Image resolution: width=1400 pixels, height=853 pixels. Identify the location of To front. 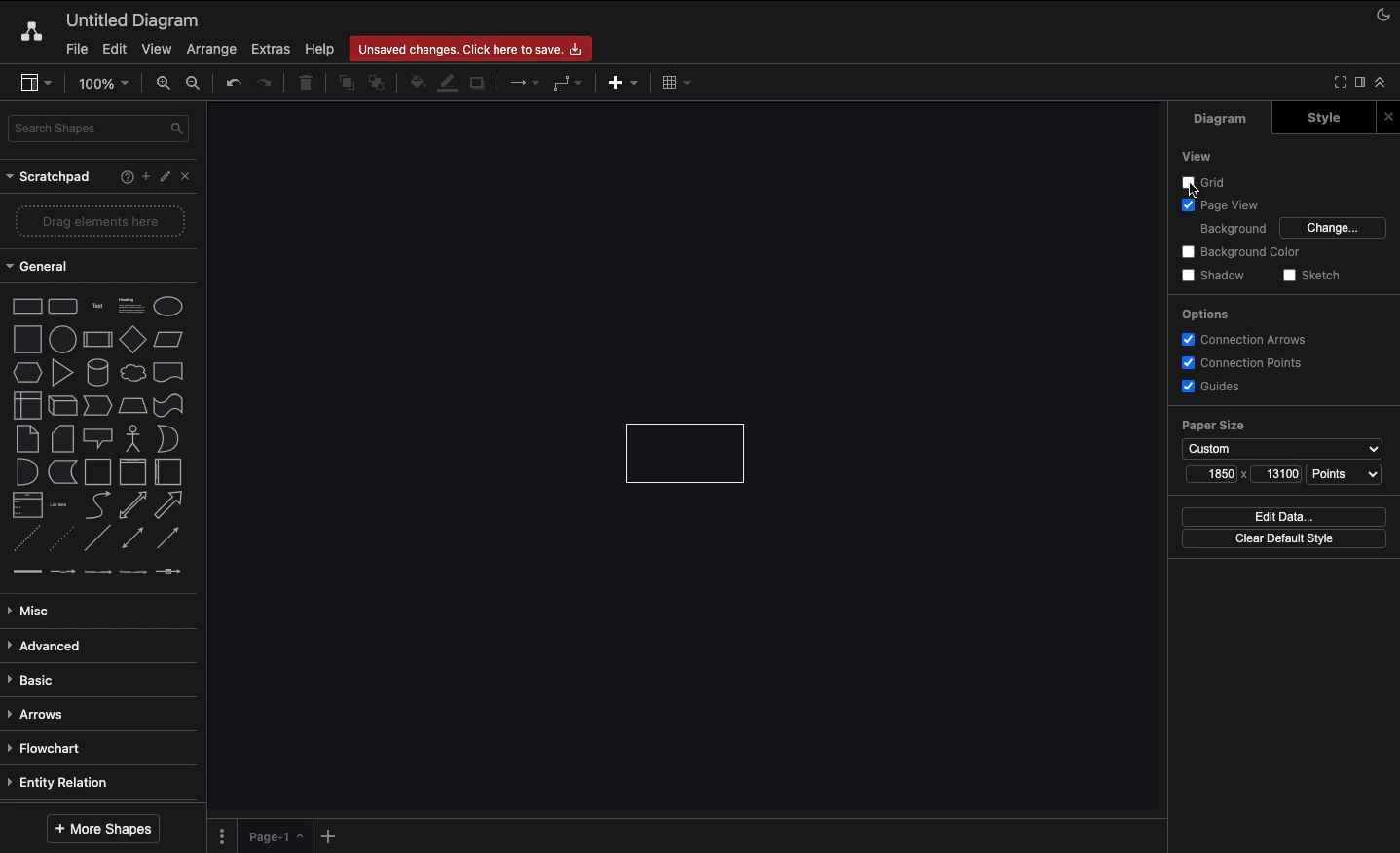
(343, 86).